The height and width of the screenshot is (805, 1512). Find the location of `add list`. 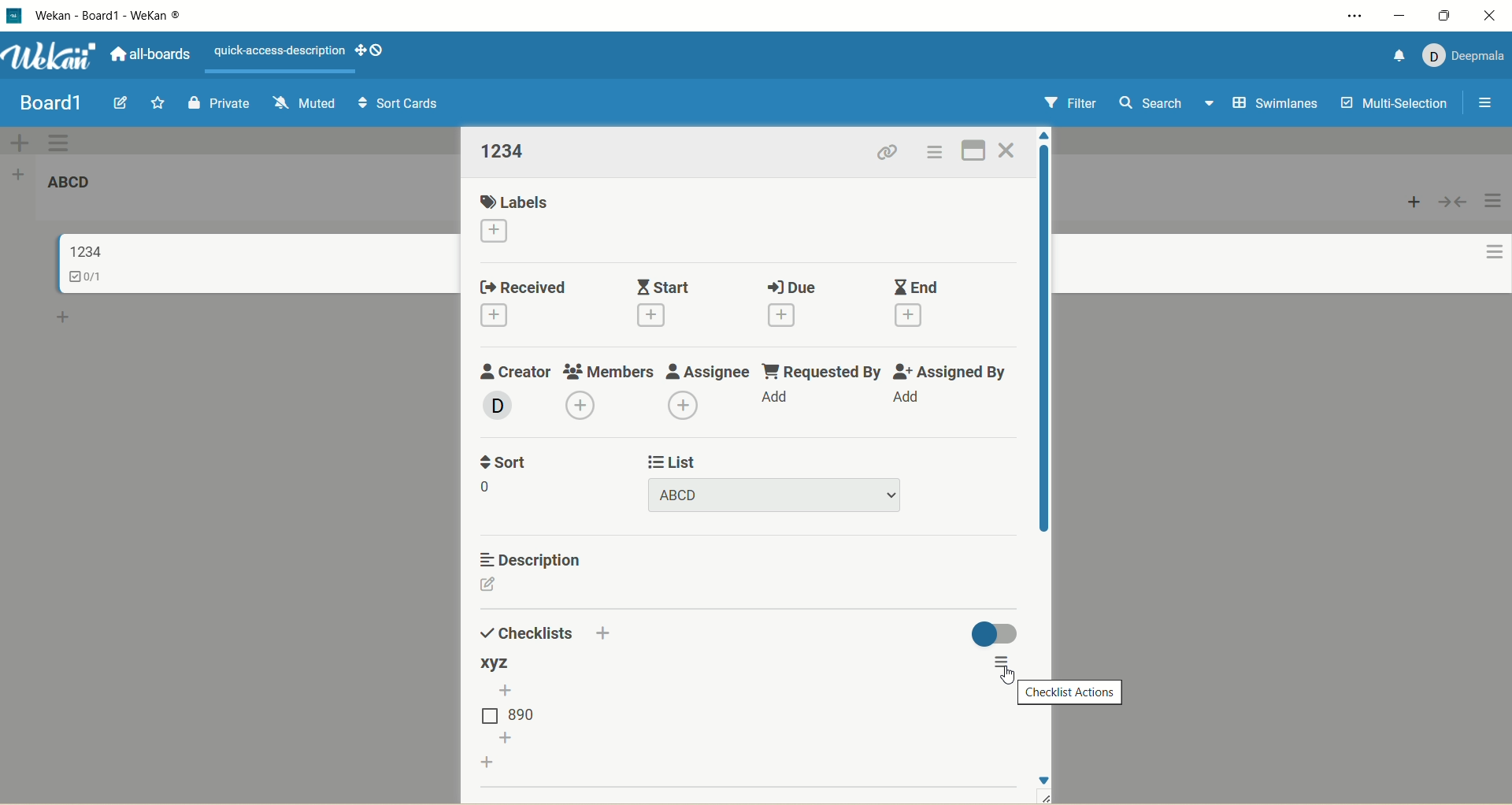

add list is located at coordinates (20, 176).